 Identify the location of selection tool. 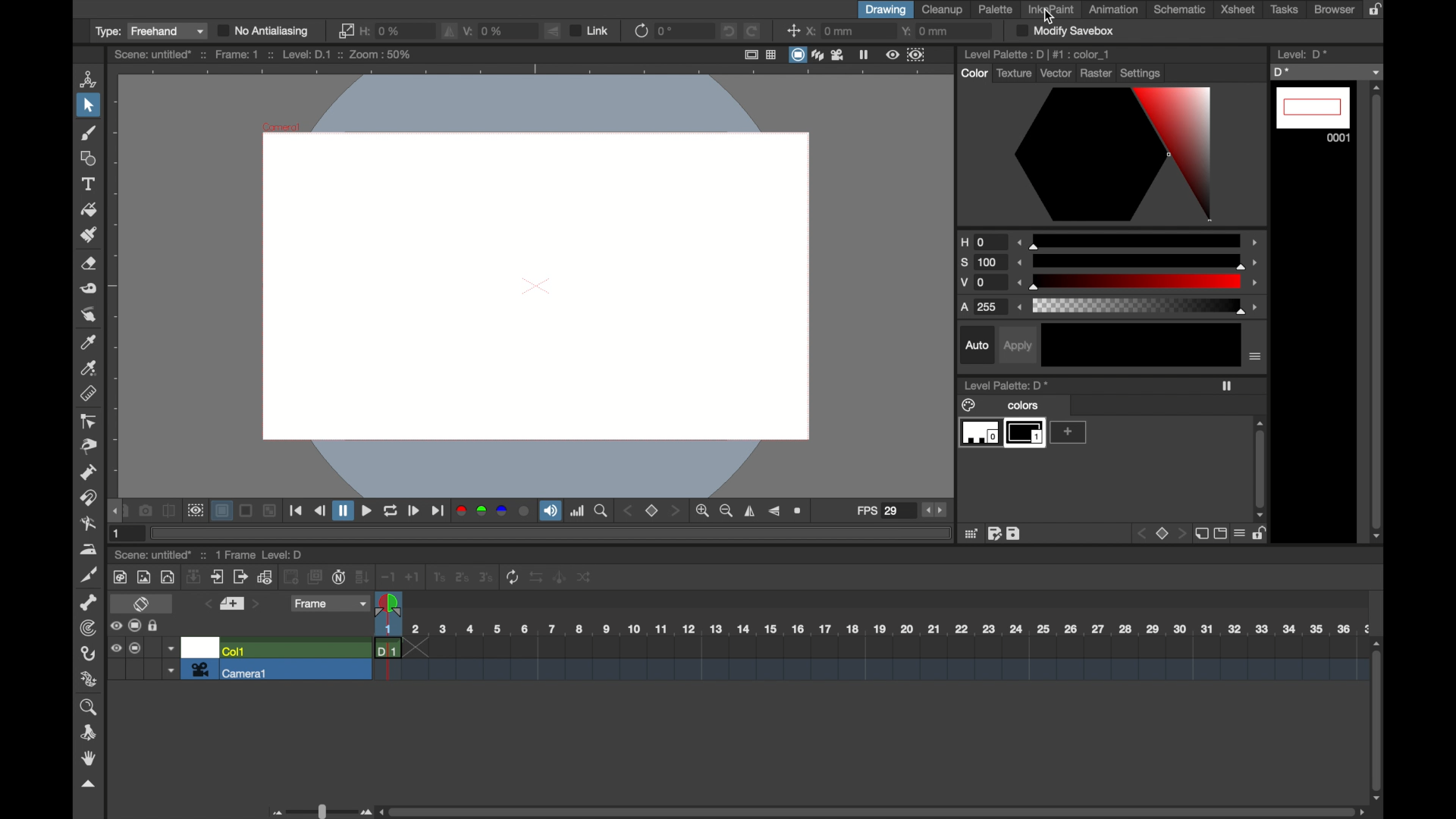
(86, 106).